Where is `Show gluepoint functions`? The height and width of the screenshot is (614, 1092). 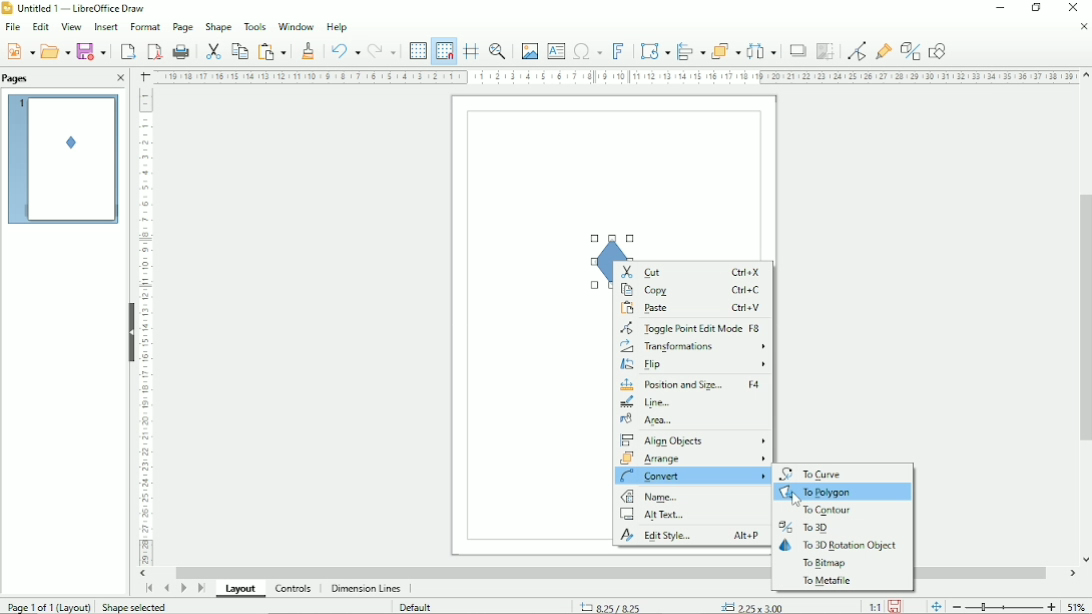 Show gluepoint functions is located at coordinates (882, 50).